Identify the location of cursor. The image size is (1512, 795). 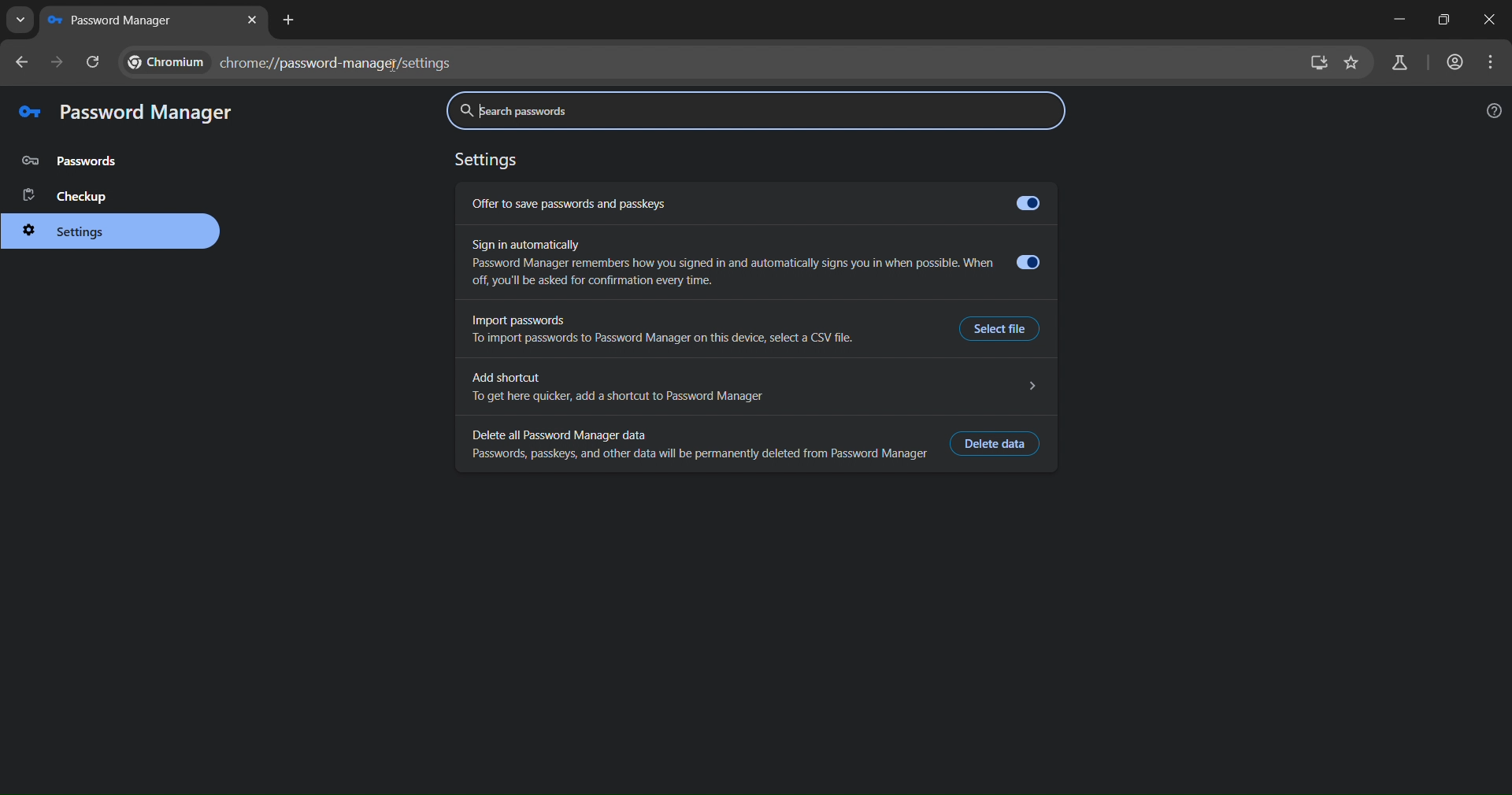
(387, 66).